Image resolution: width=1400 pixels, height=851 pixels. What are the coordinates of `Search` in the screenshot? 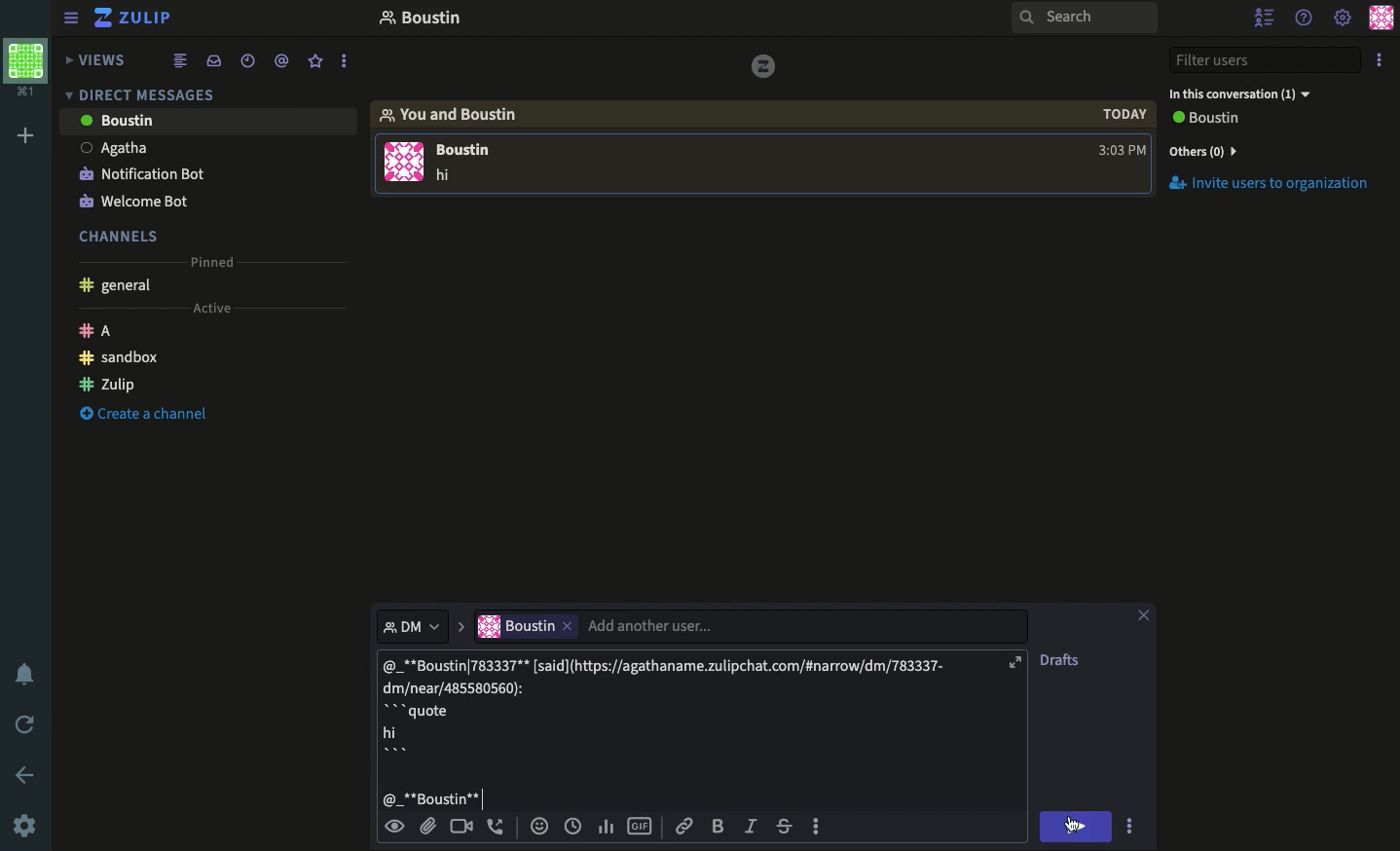 It's located at (1084, 19).